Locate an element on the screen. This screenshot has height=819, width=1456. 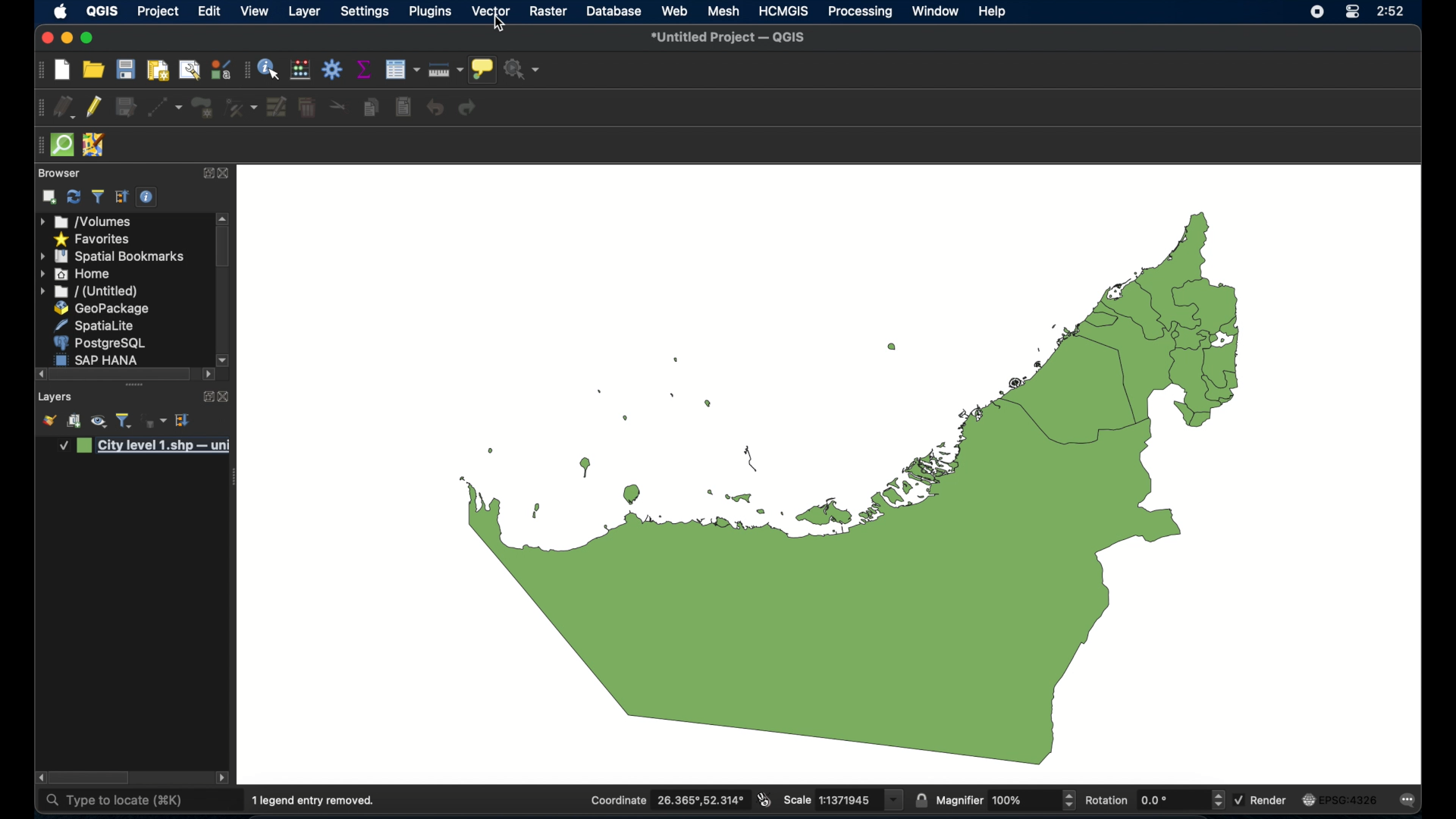
style manager is located at coordinates (219, 69).